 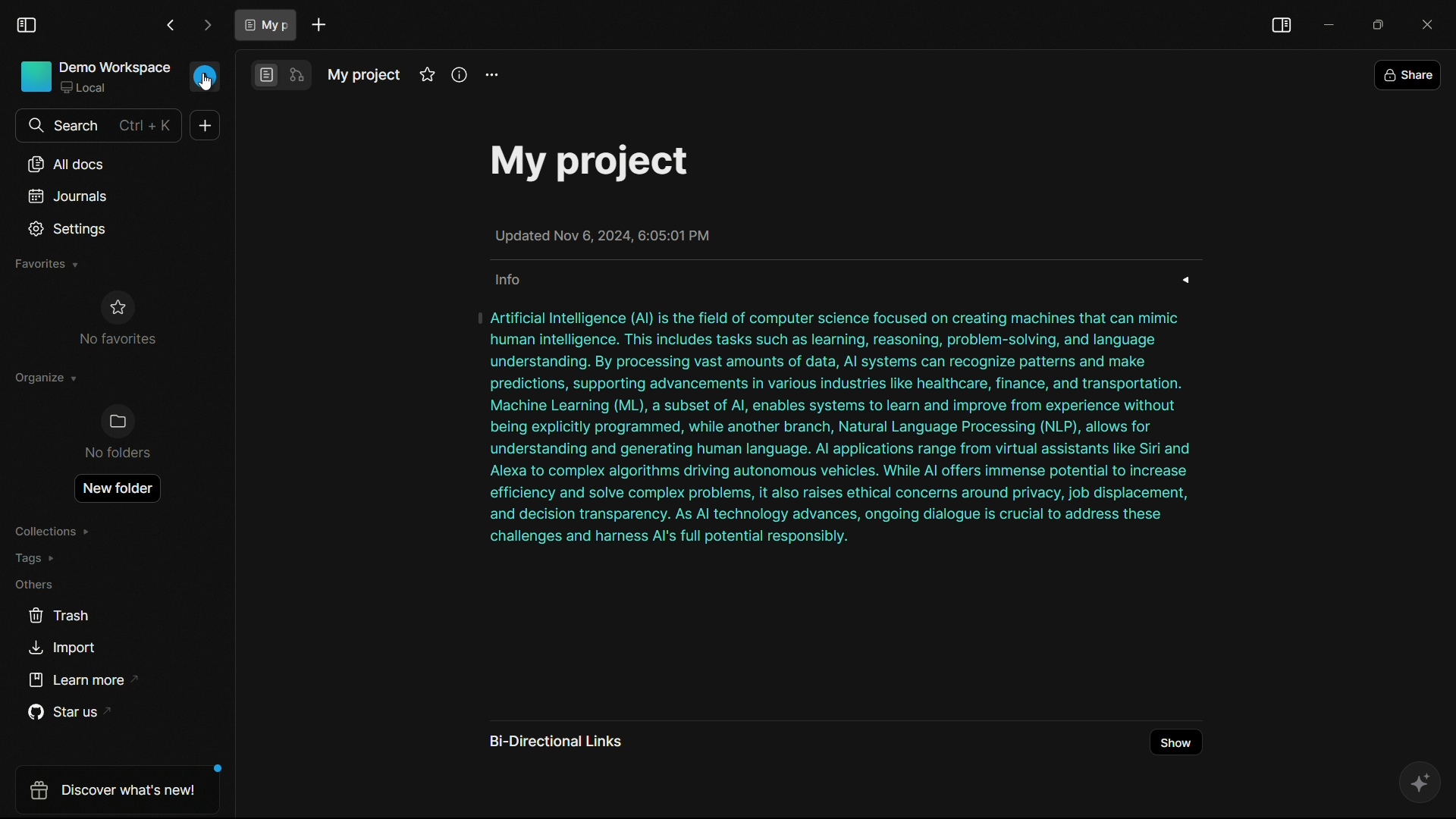 What do you see at coordinates (507, 278) in the screenshot?
I see `info` at bounding box center [507, 278].